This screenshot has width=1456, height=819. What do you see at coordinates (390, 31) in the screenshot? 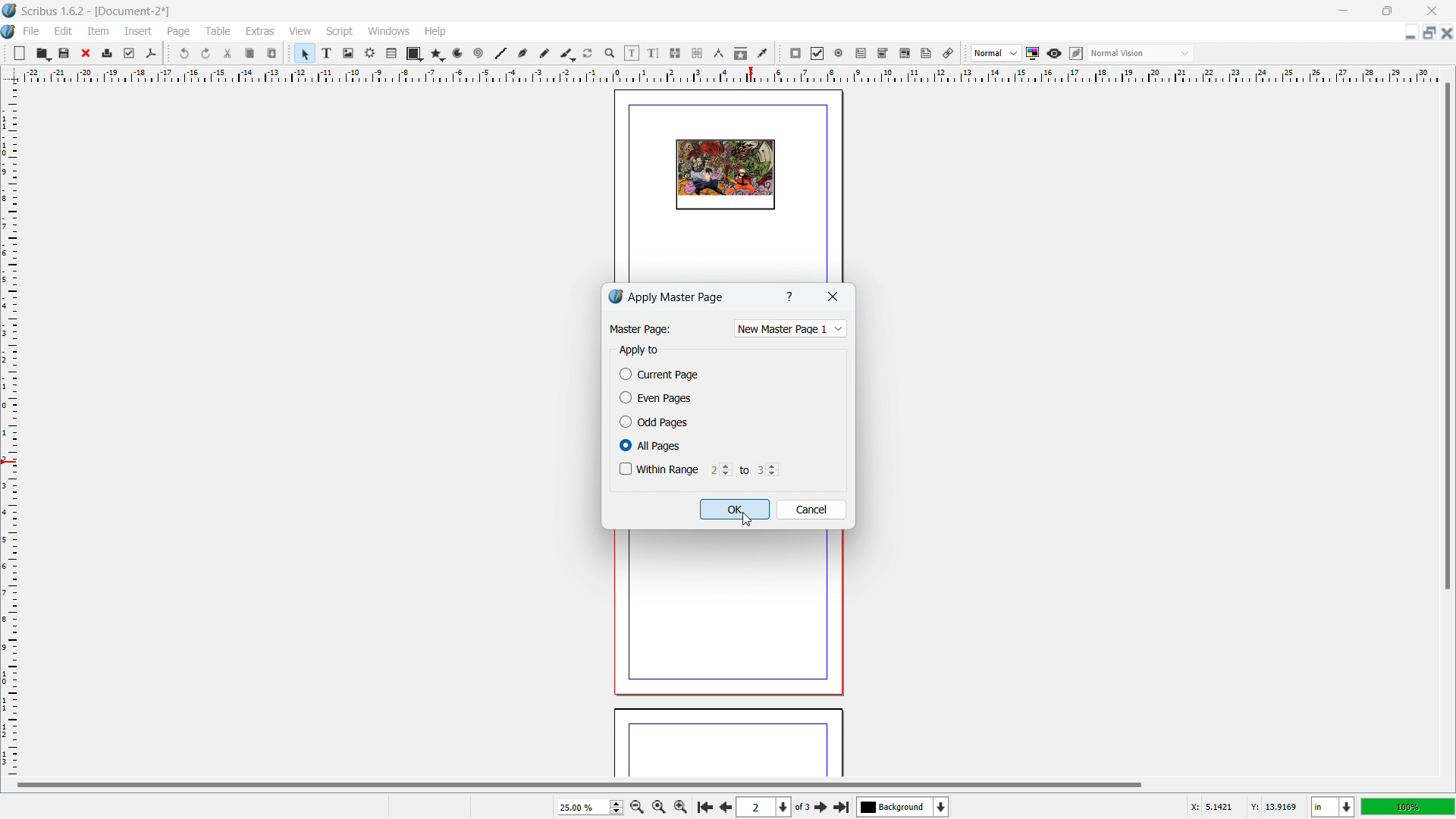
I see `windows` at bounding box center [390, 31].